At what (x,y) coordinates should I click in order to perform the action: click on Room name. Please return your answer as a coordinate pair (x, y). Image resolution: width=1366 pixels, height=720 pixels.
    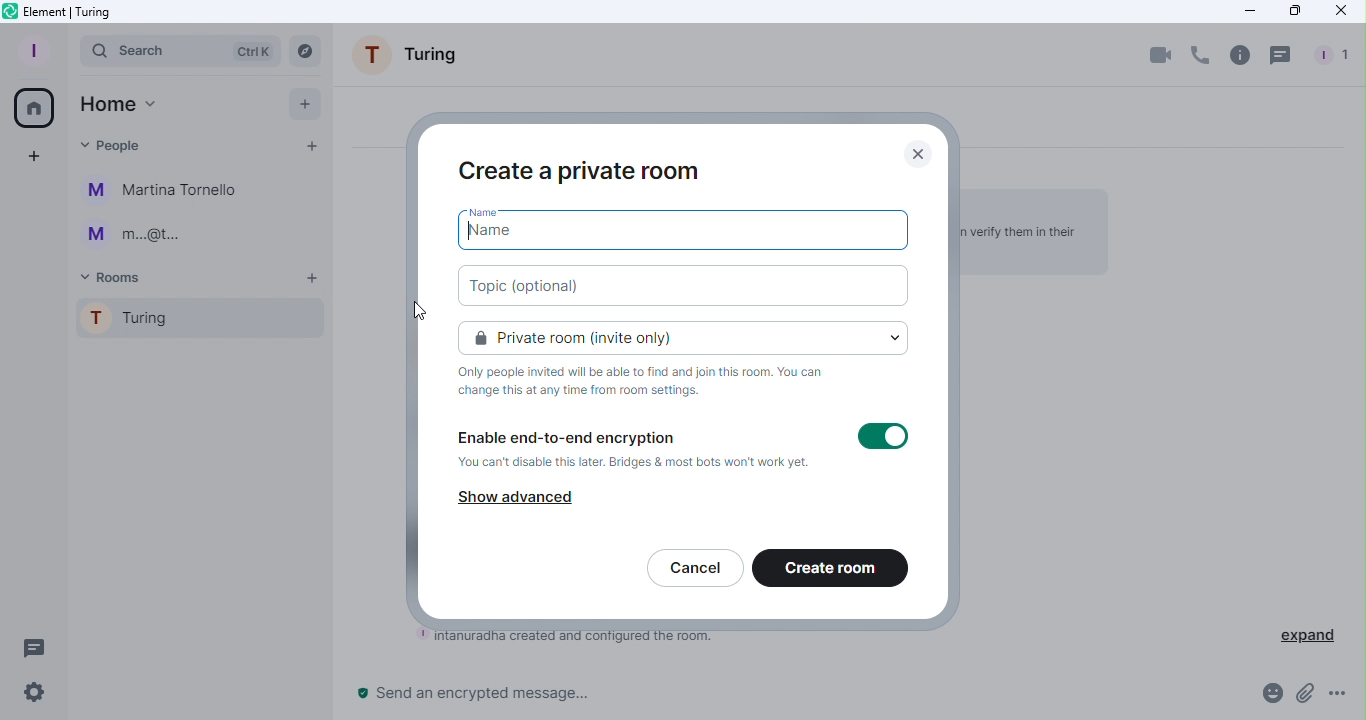
    Looking at the image, I should click on (413, 59).